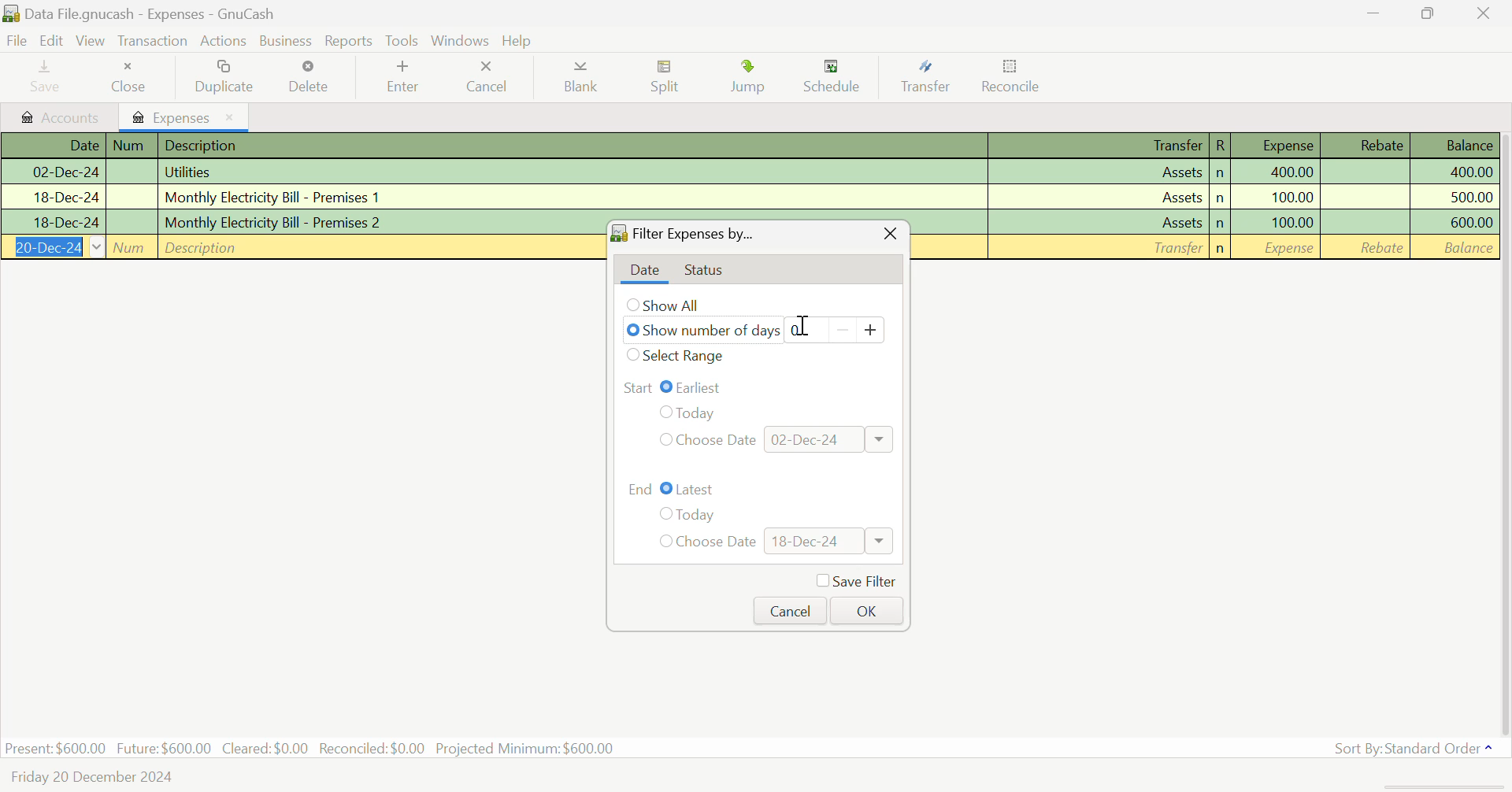 This screenshot has height=792, width=1512. I want to click on Transaction, so click(150, 41).